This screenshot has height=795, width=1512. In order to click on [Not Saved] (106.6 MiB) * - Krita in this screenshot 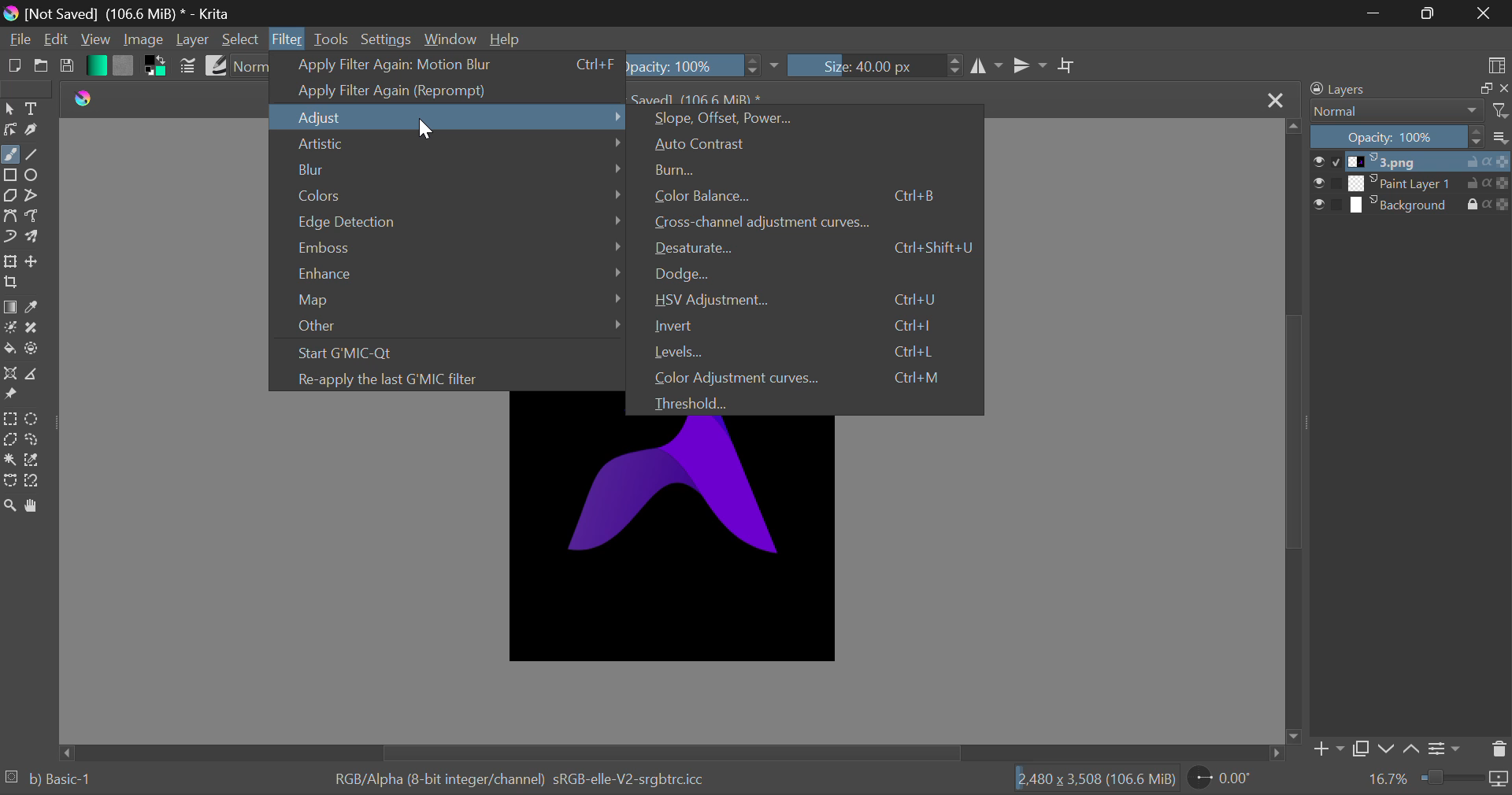, I will do `click(143, 11)`.